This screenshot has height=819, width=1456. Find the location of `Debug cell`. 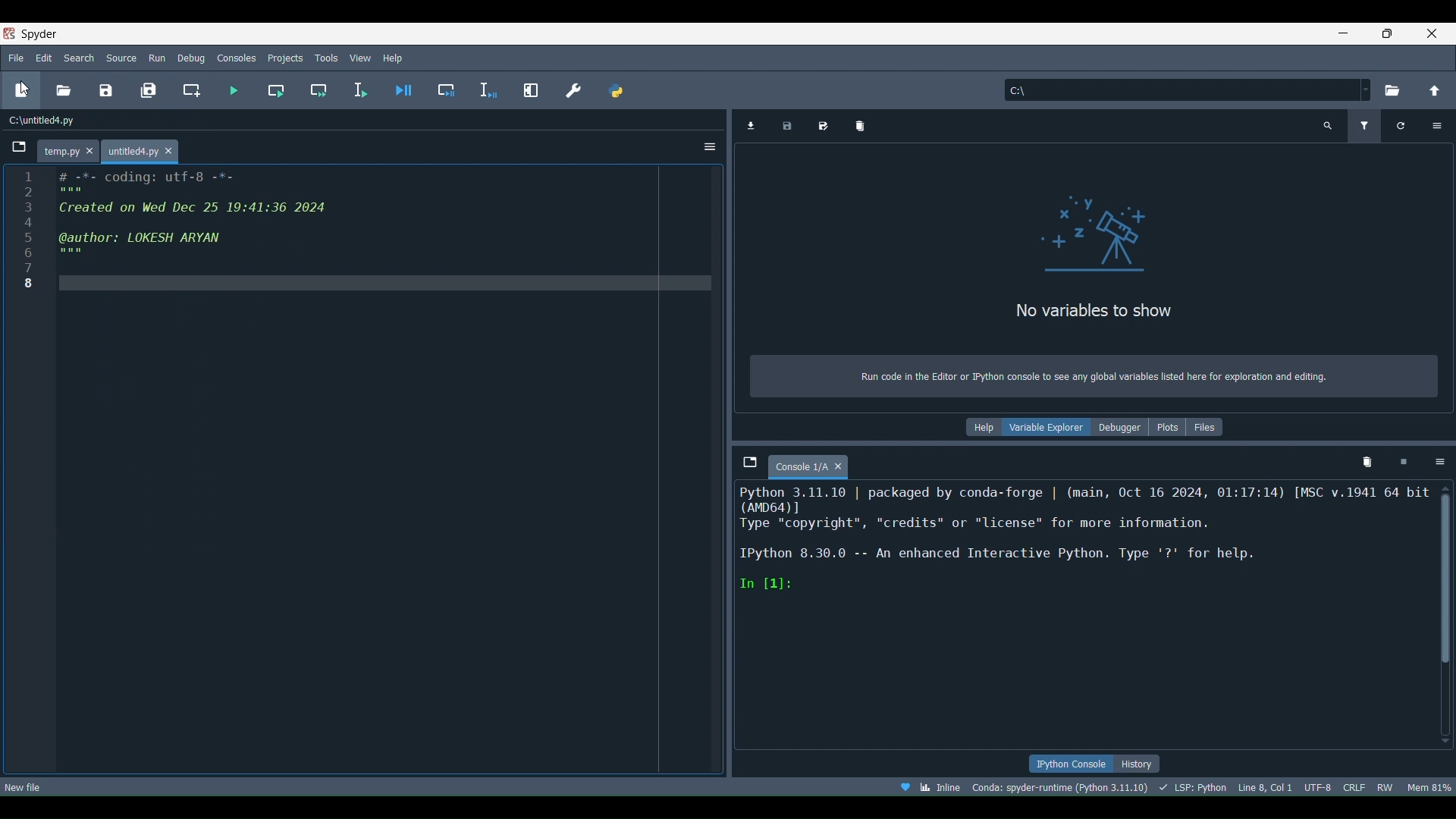

Debug cell is located at coordinates (438, 91).